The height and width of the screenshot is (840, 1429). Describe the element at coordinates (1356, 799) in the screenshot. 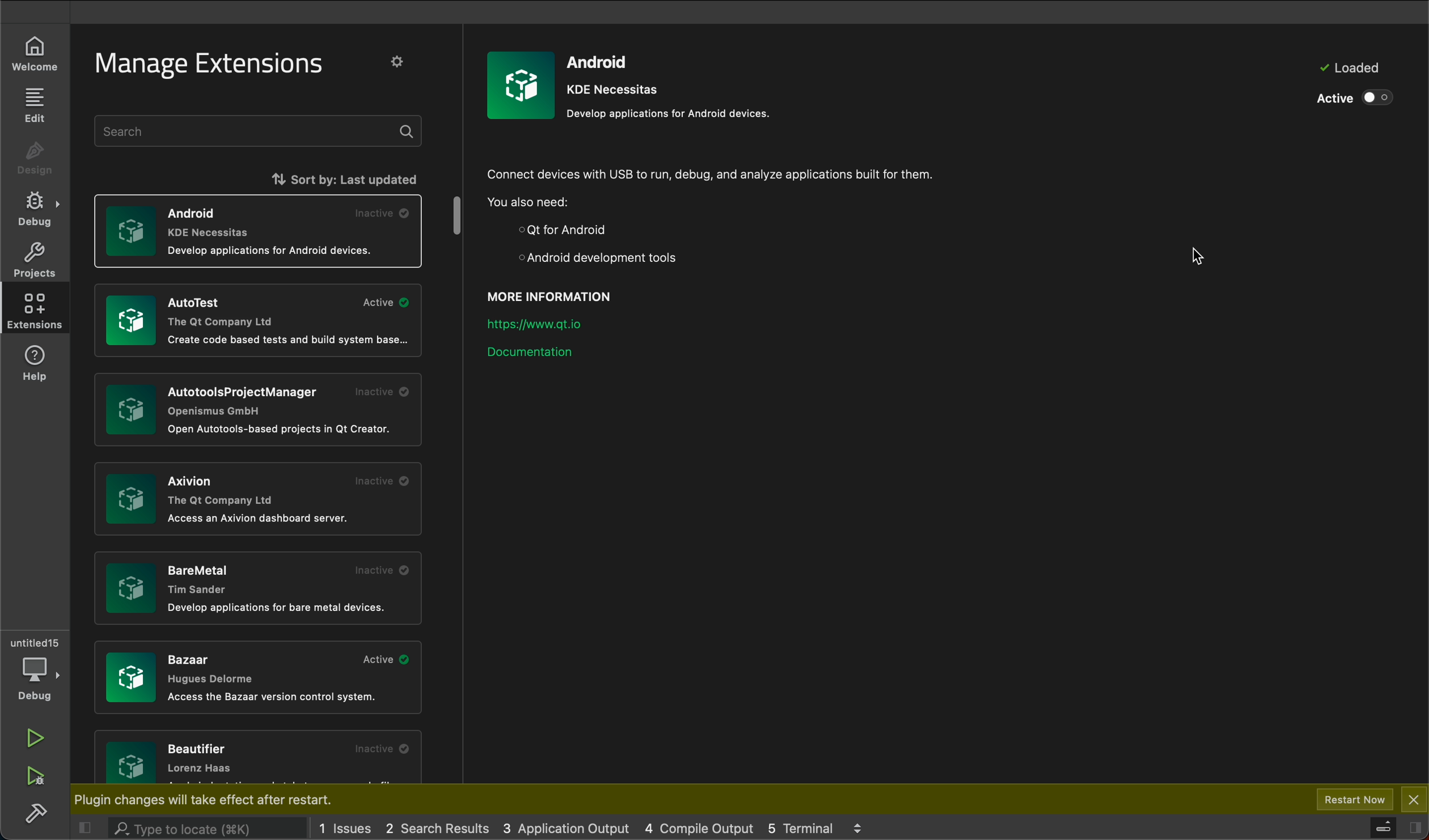

I see `restart` at that location.